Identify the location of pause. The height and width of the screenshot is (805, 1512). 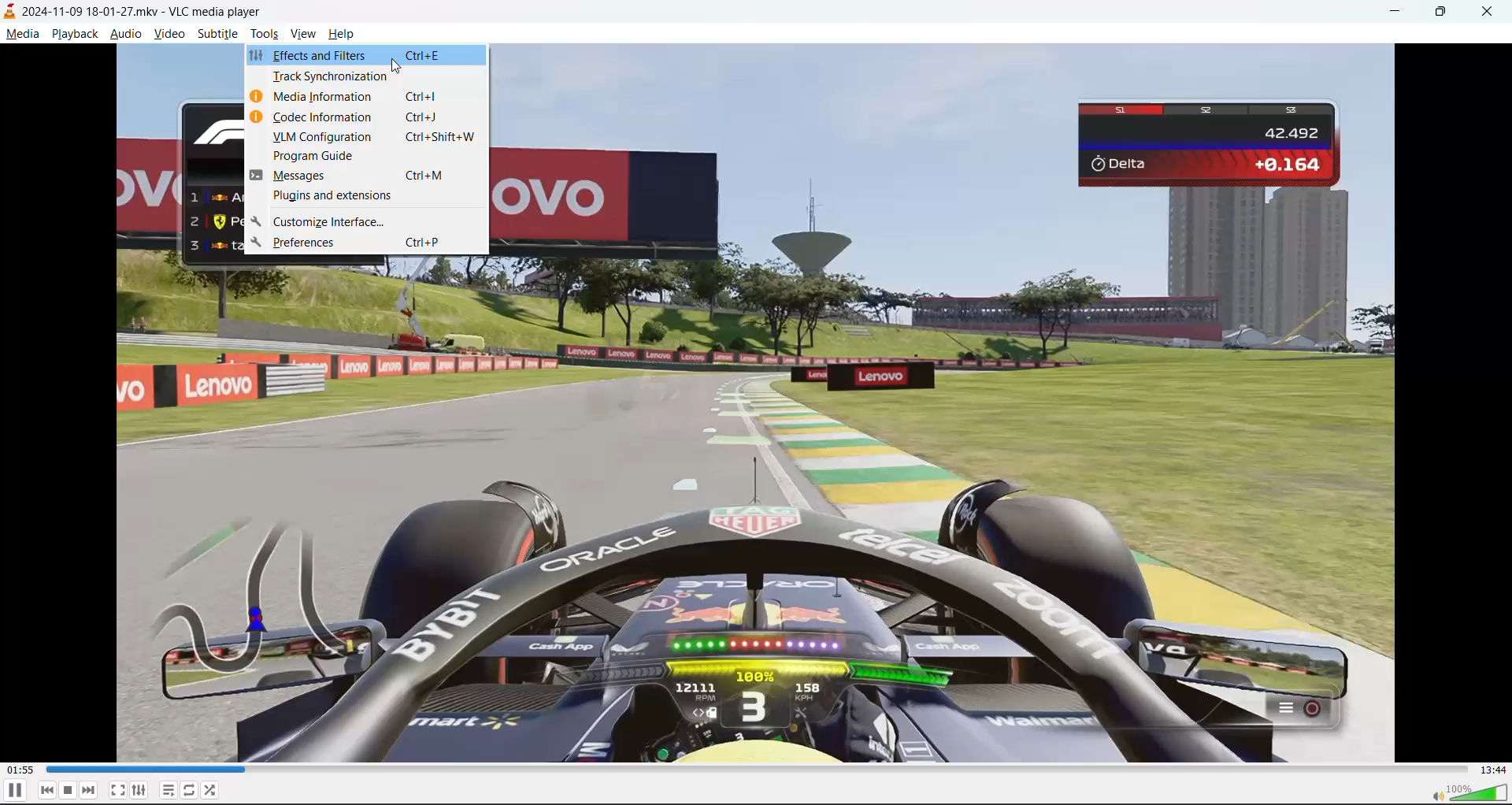
(14, 792).